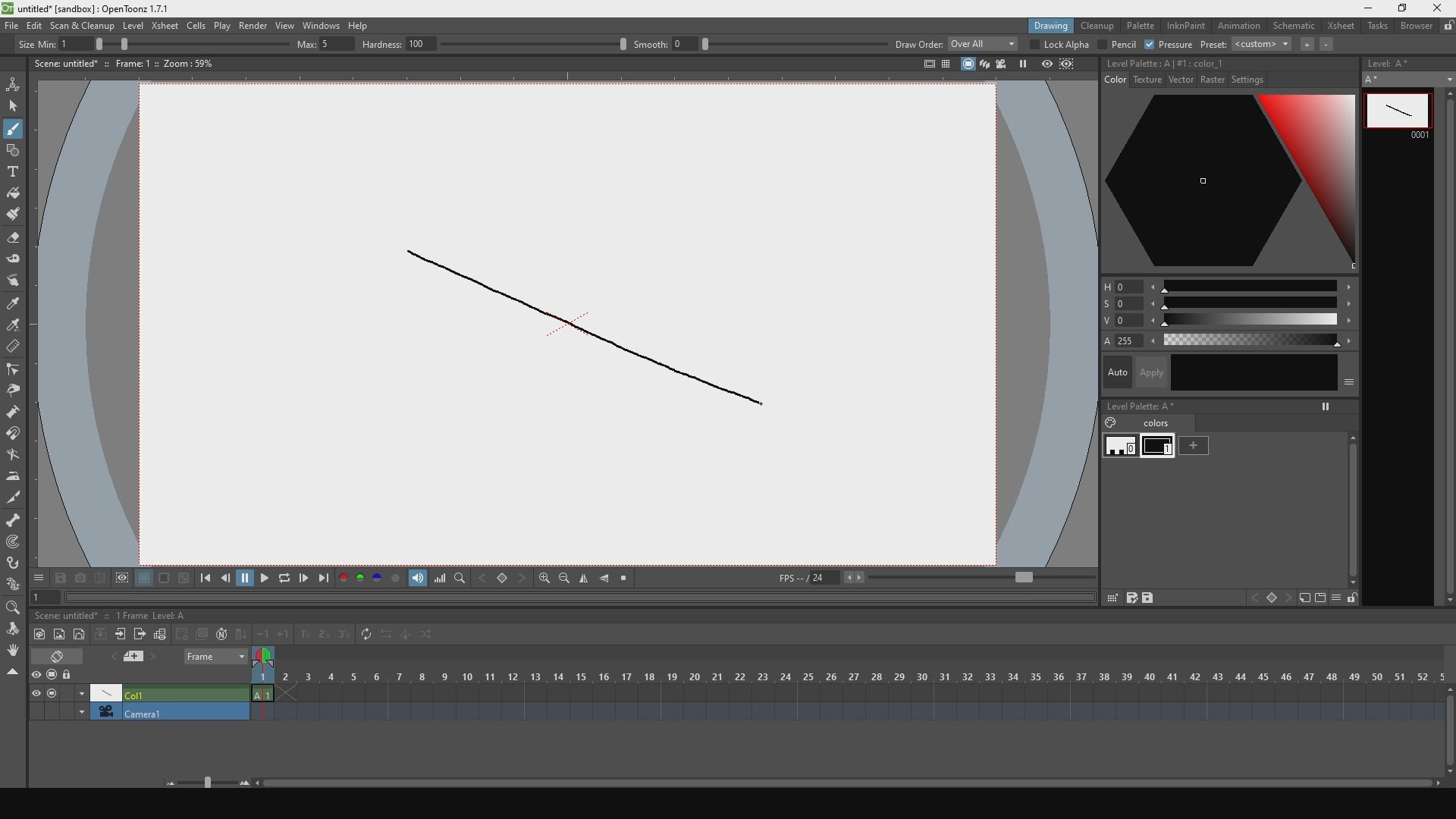 The width and height of the screenshot is (1456, 819). Describe the element at coordinates (56, 692) in the screenshot. I see `stop` at that location.